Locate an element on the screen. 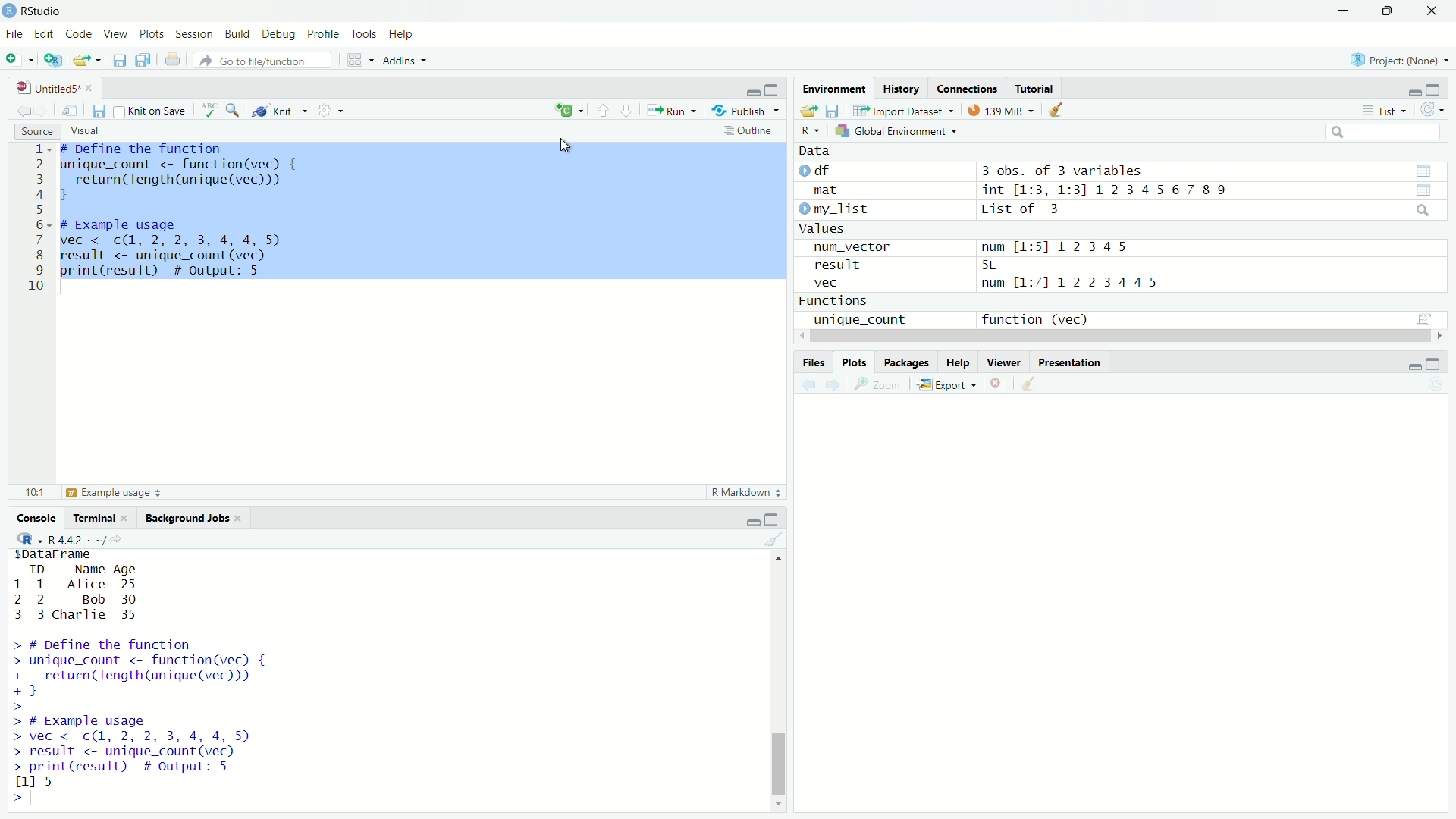  maximize is located at coordinates (772, 519).